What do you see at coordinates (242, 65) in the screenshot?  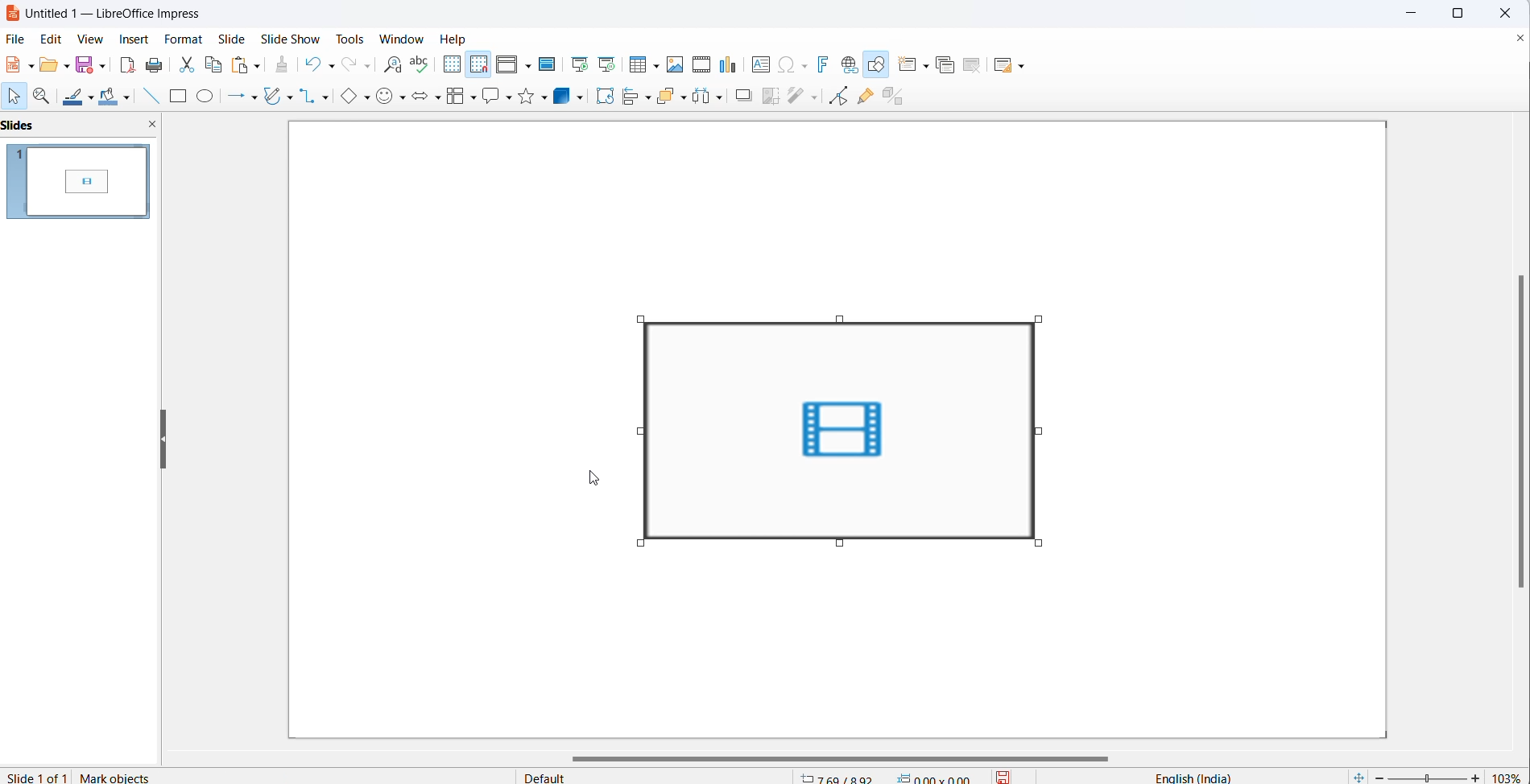 I see `paste` at bounding box center [242, 65].